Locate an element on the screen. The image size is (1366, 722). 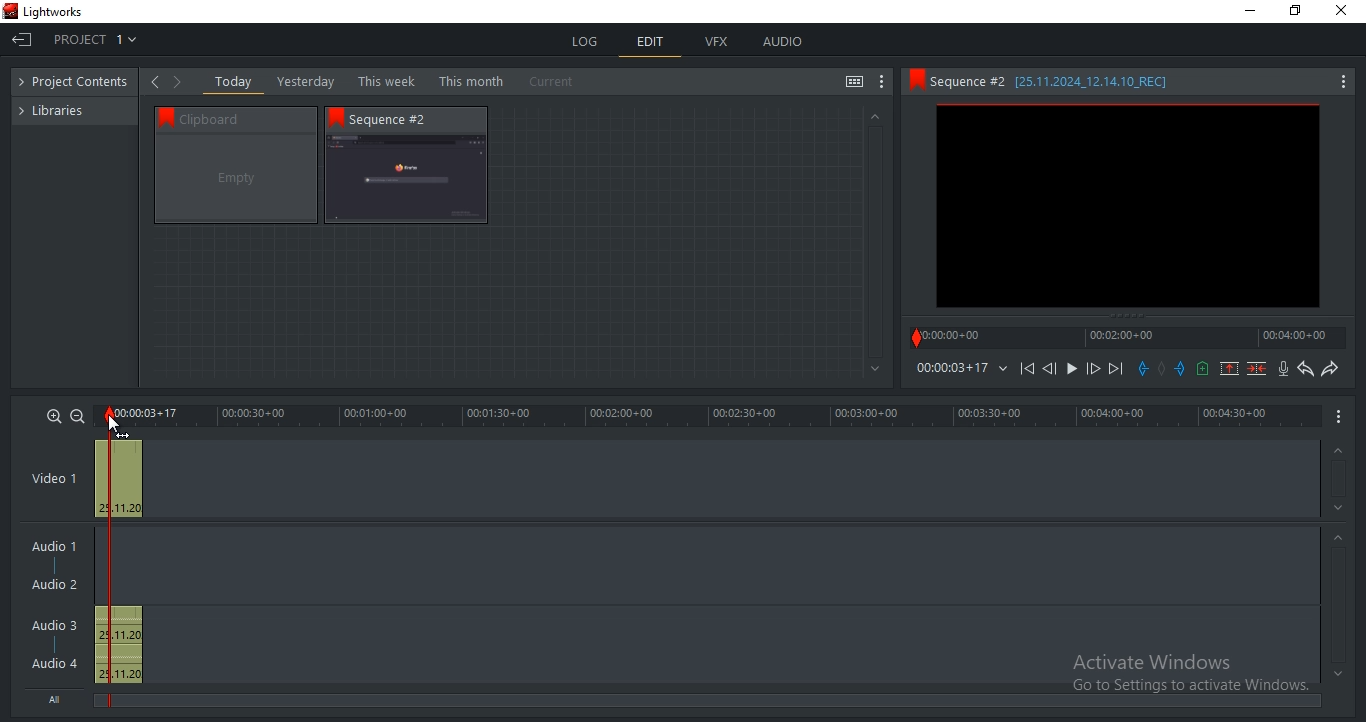
Nudge one frame back is located at coordinates (1053, 371).